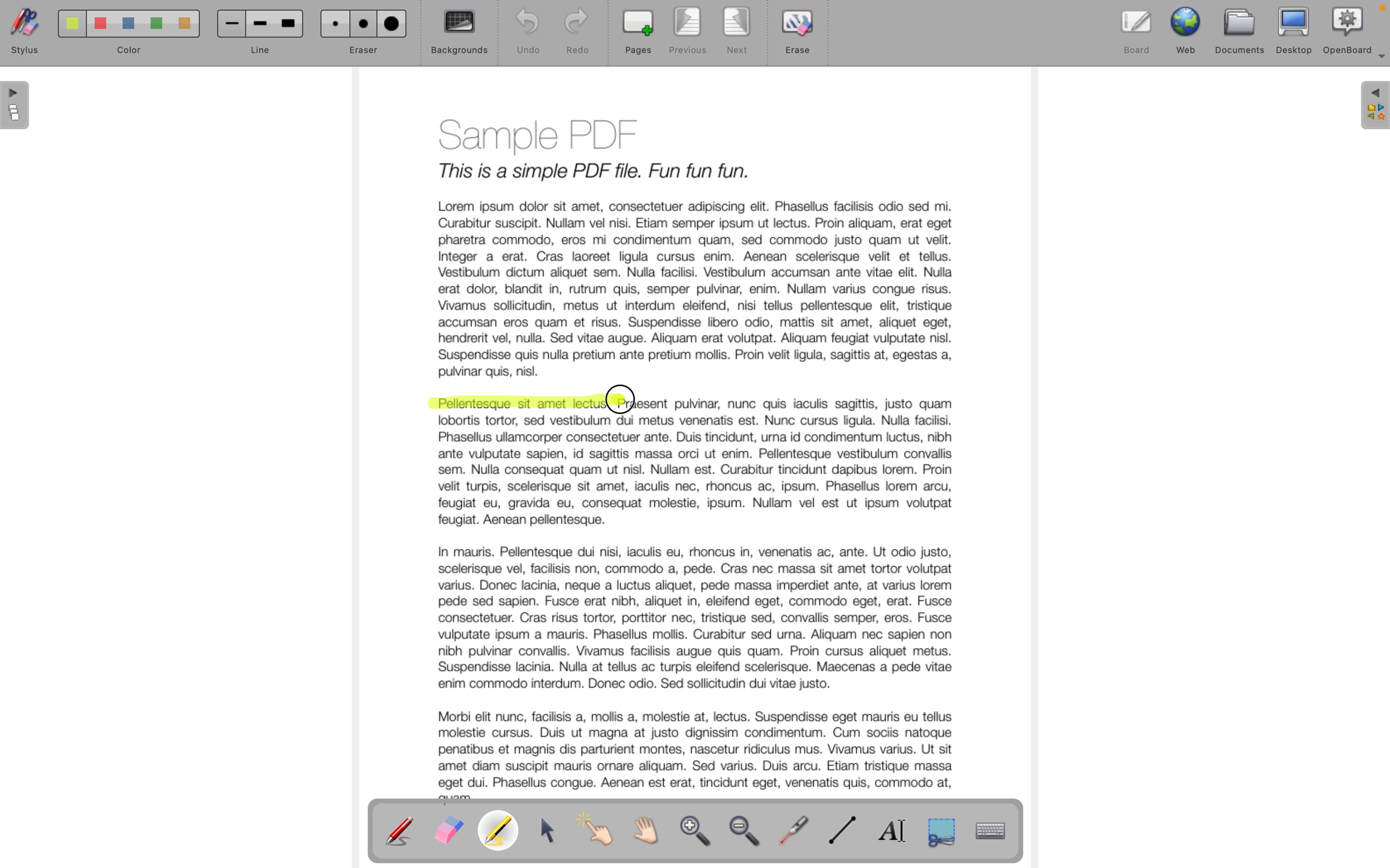  Describe the element at coordinates (847, 831) in the screenshot. I see `draw line` at that location.